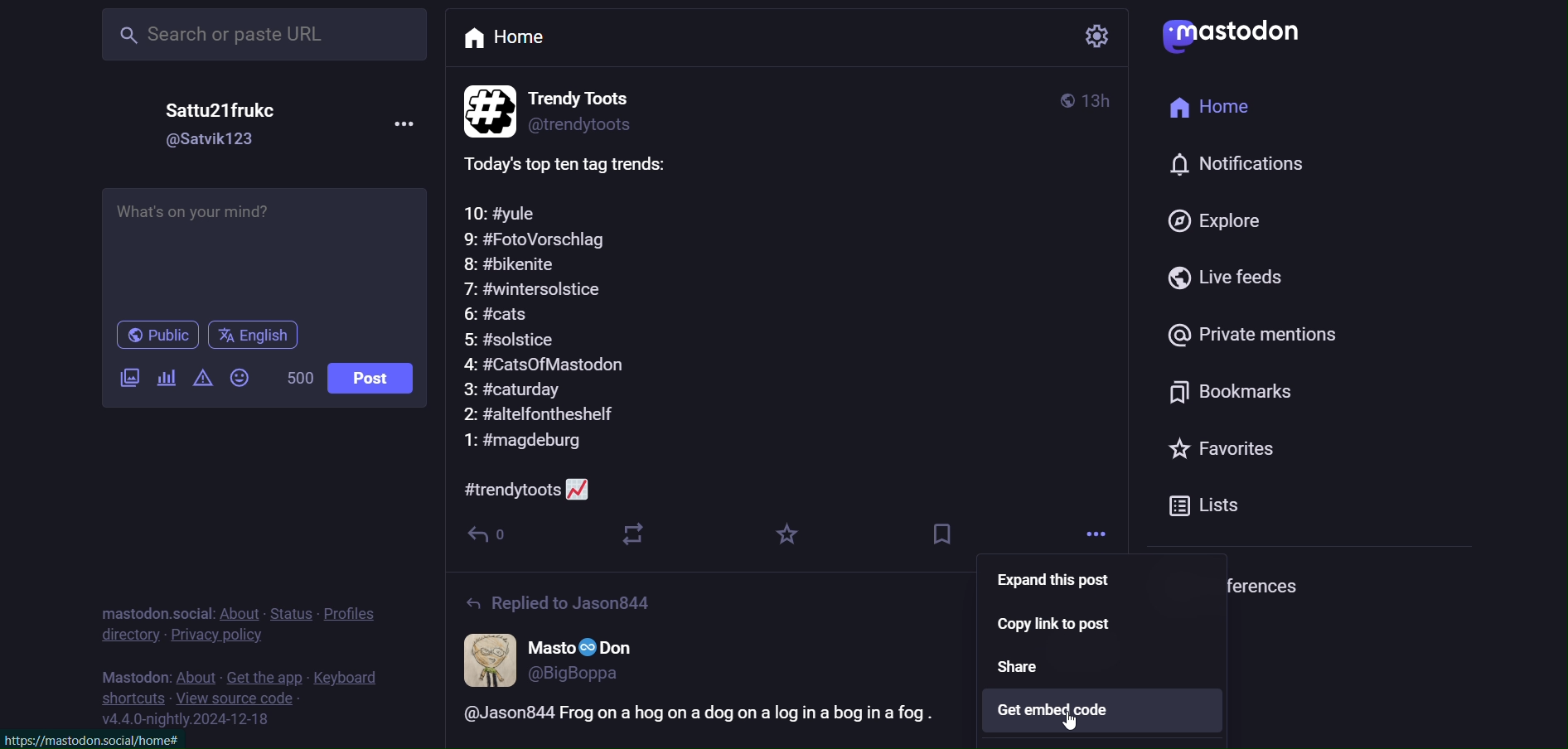 This screenshot has height=749, width=1568. What do you see at coordinates (225, 636) in the screenshot?
I see `privacy policy` at bounding box center [225, 636].